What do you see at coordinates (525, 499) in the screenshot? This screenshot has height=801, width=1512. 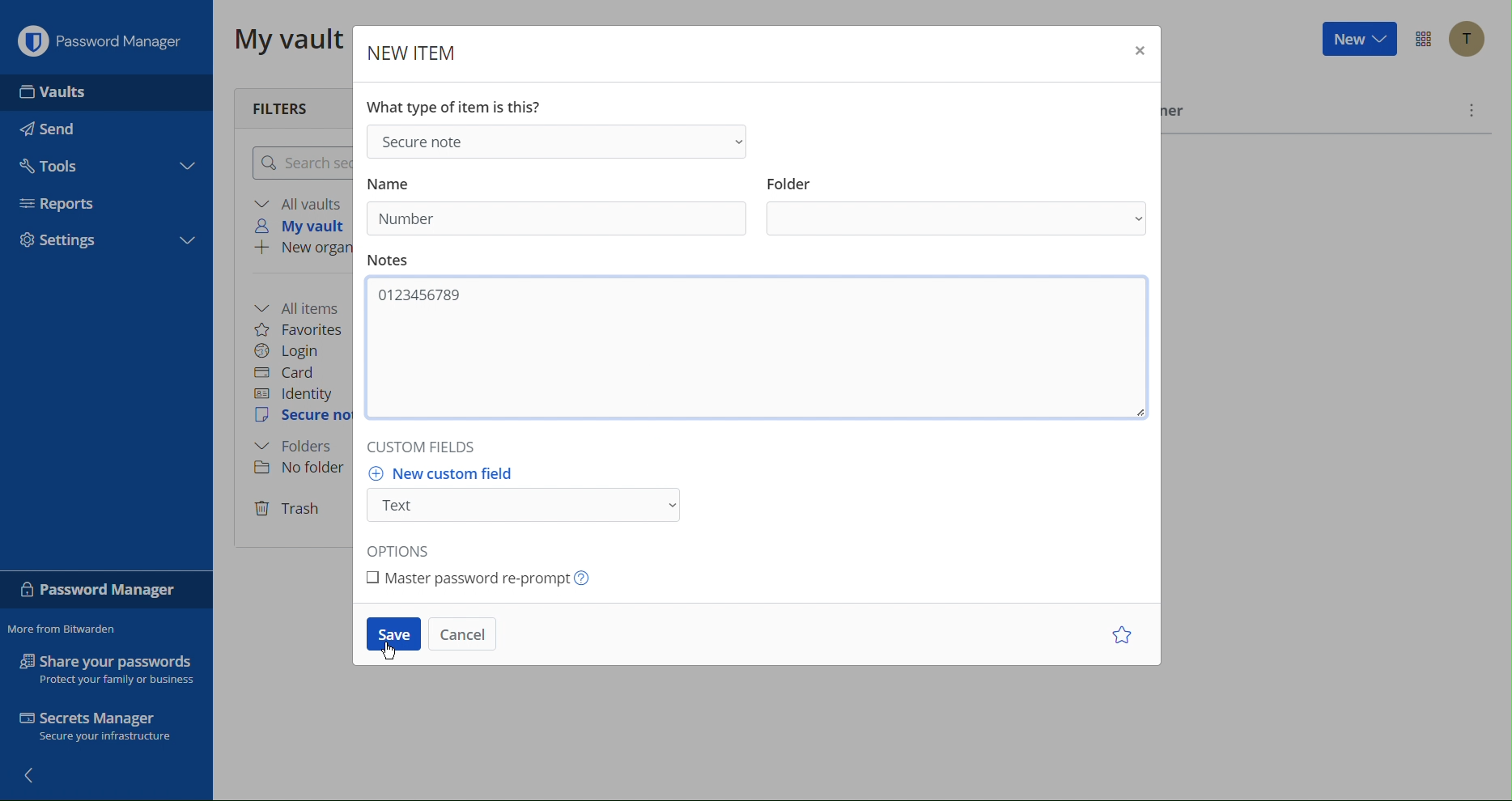 I see `New custom field` at bounding box center [525, 499].